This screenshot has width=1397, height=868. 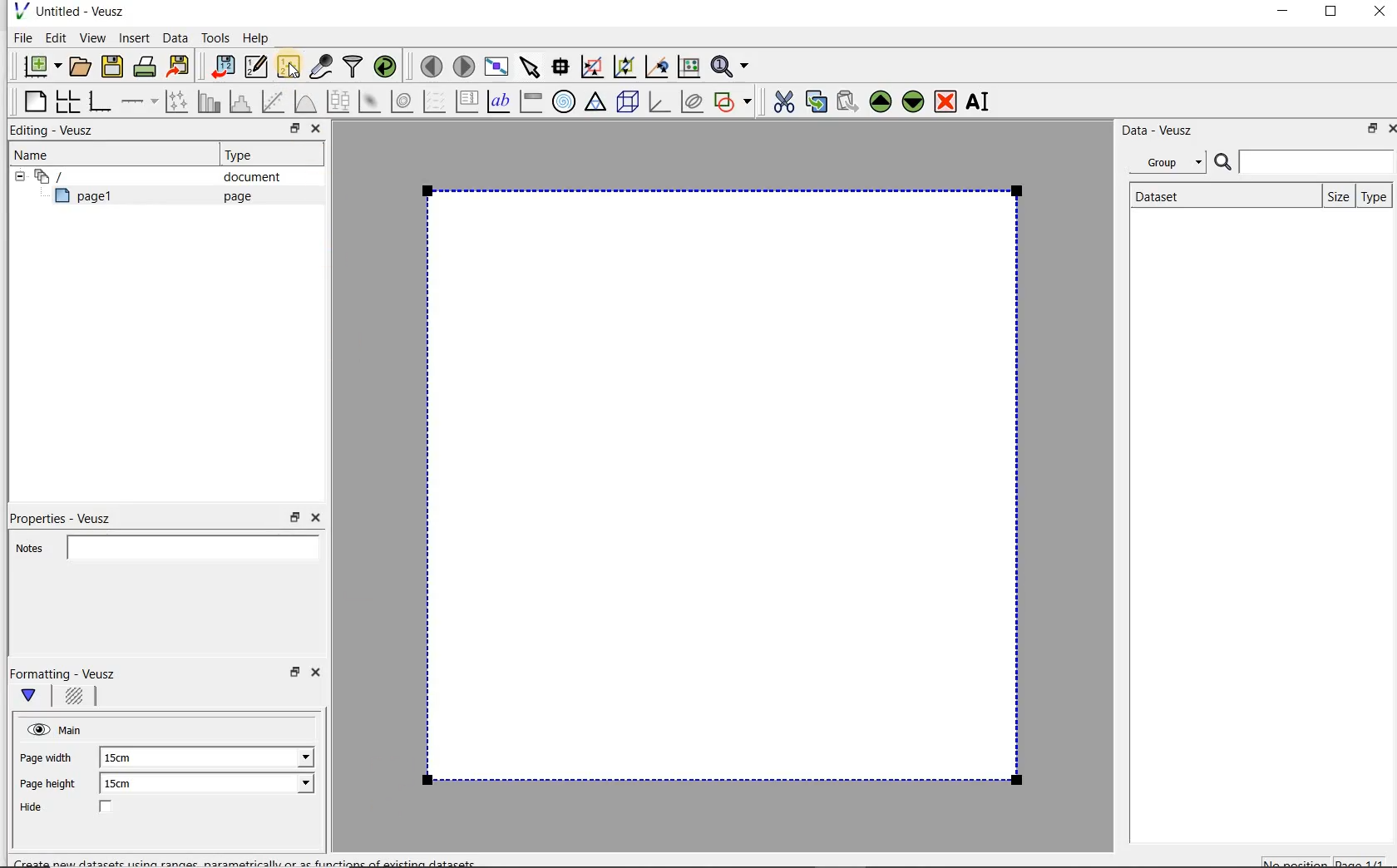 What do you see at coordinates (372, 102) in the screenshot?
I see `plot a 2d dataset as an image` at bounding box center [372, 102].